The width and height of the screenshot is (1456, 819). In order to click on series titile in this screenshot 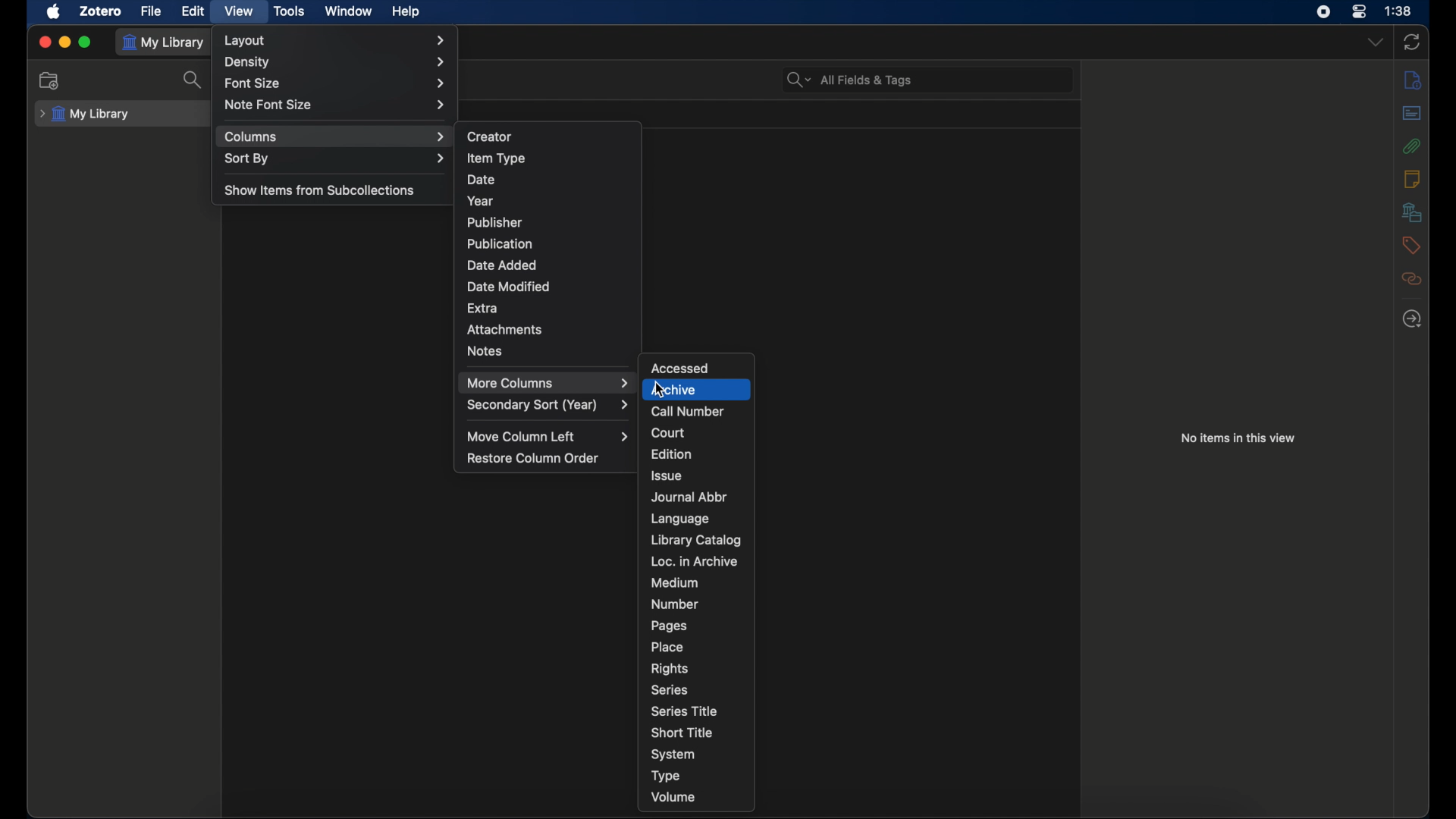, I will do `click(687, 711)`.